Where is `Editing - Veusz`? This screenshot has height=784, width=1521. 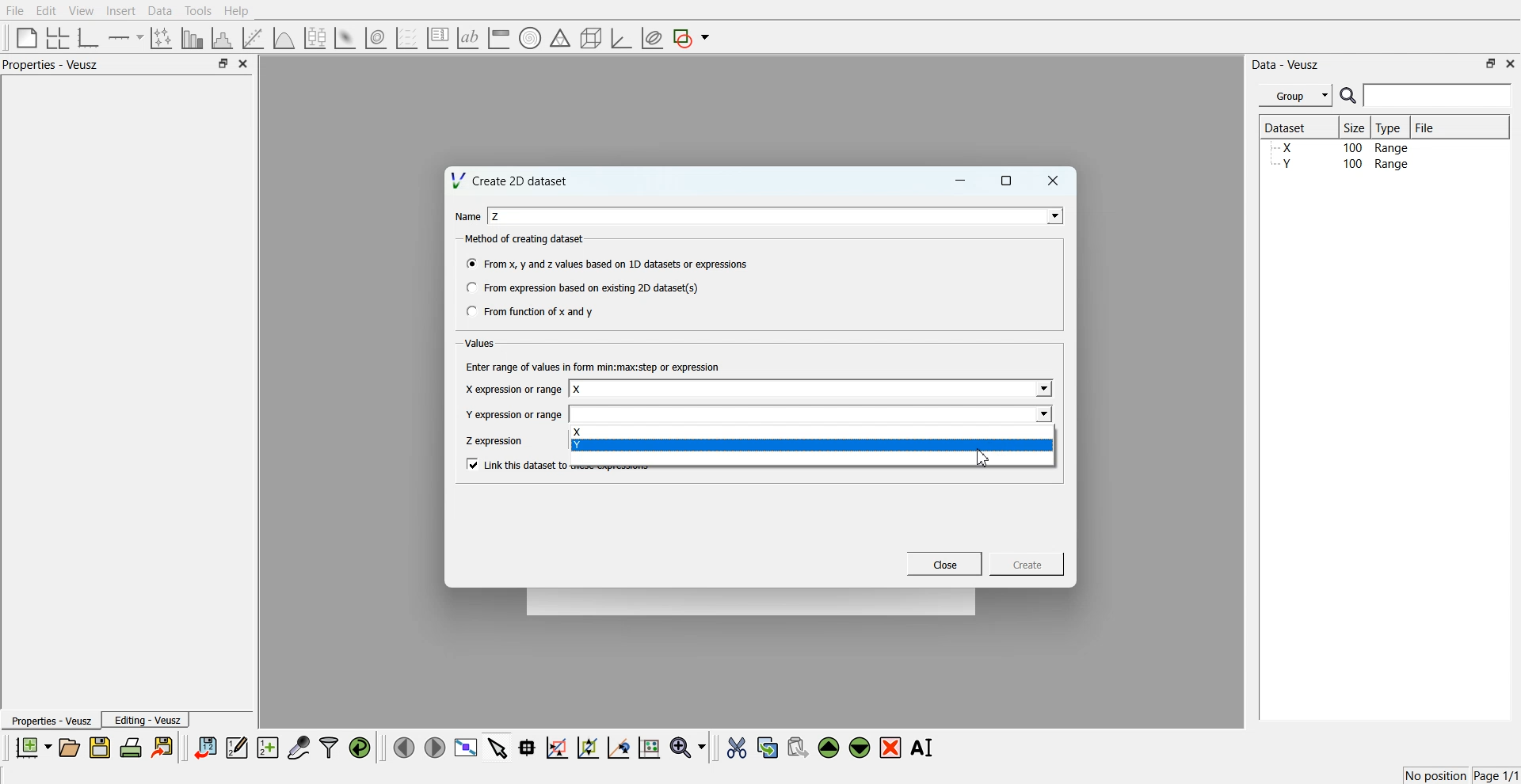
Editing - Veusz is located at coordinates (146, 719).